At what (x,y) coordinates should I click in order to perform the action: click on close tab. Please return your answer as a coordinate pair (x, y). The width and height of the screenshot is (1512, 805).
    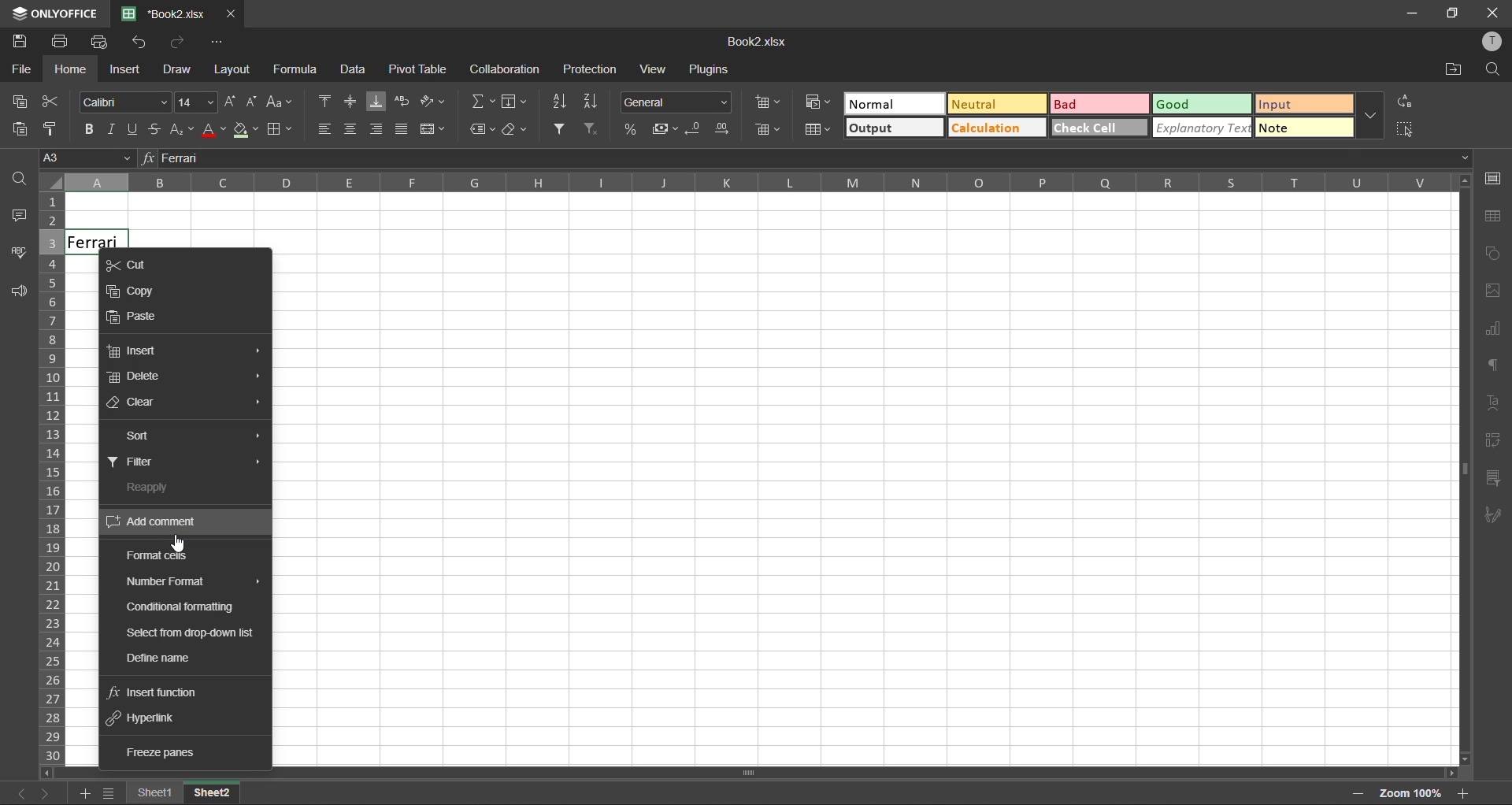
    Looking at the image, I should click on (229, 12).